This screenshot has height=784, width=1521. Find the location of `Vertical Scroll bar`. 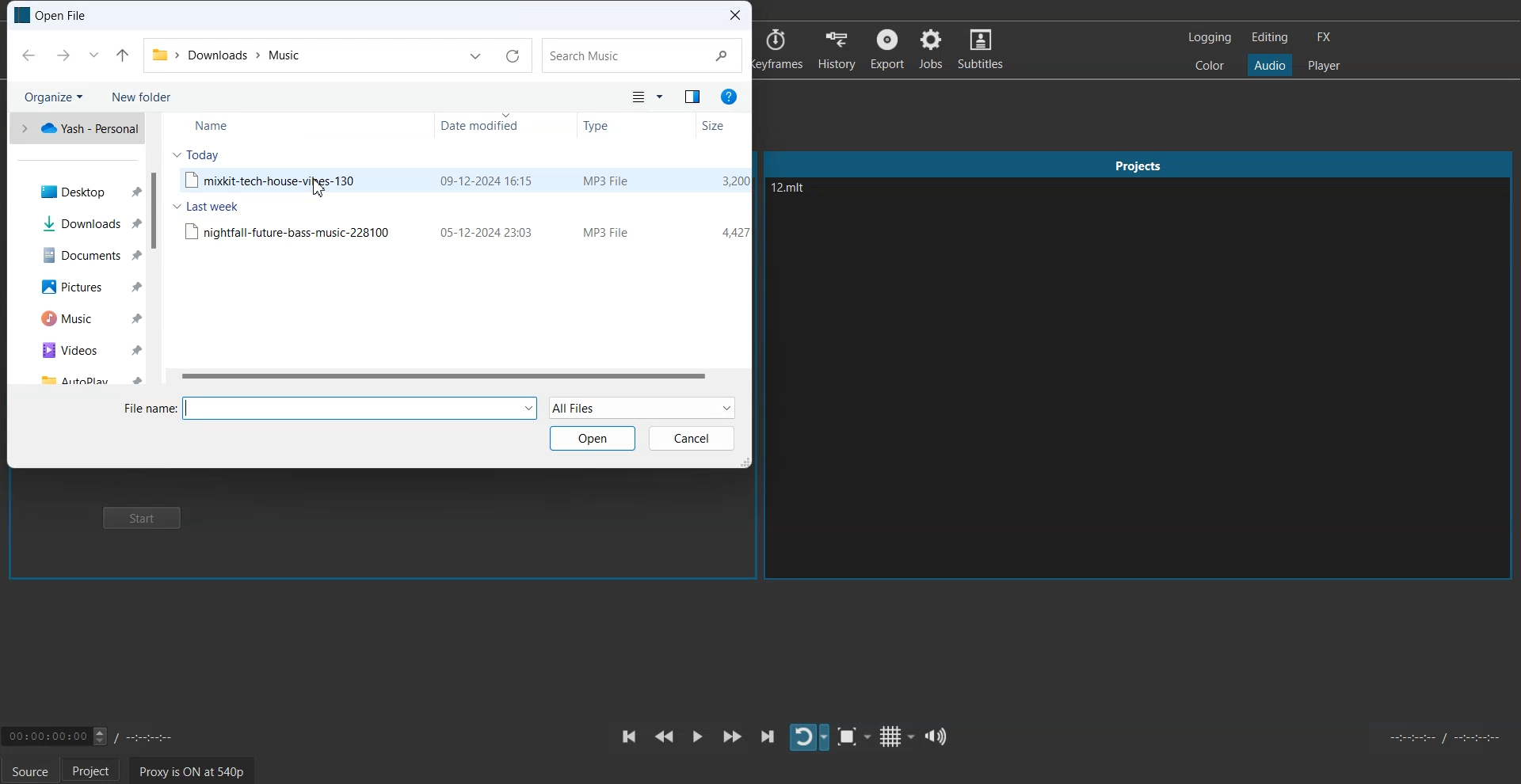

Vertical Scroll bar is located at coordinates (155, 250).